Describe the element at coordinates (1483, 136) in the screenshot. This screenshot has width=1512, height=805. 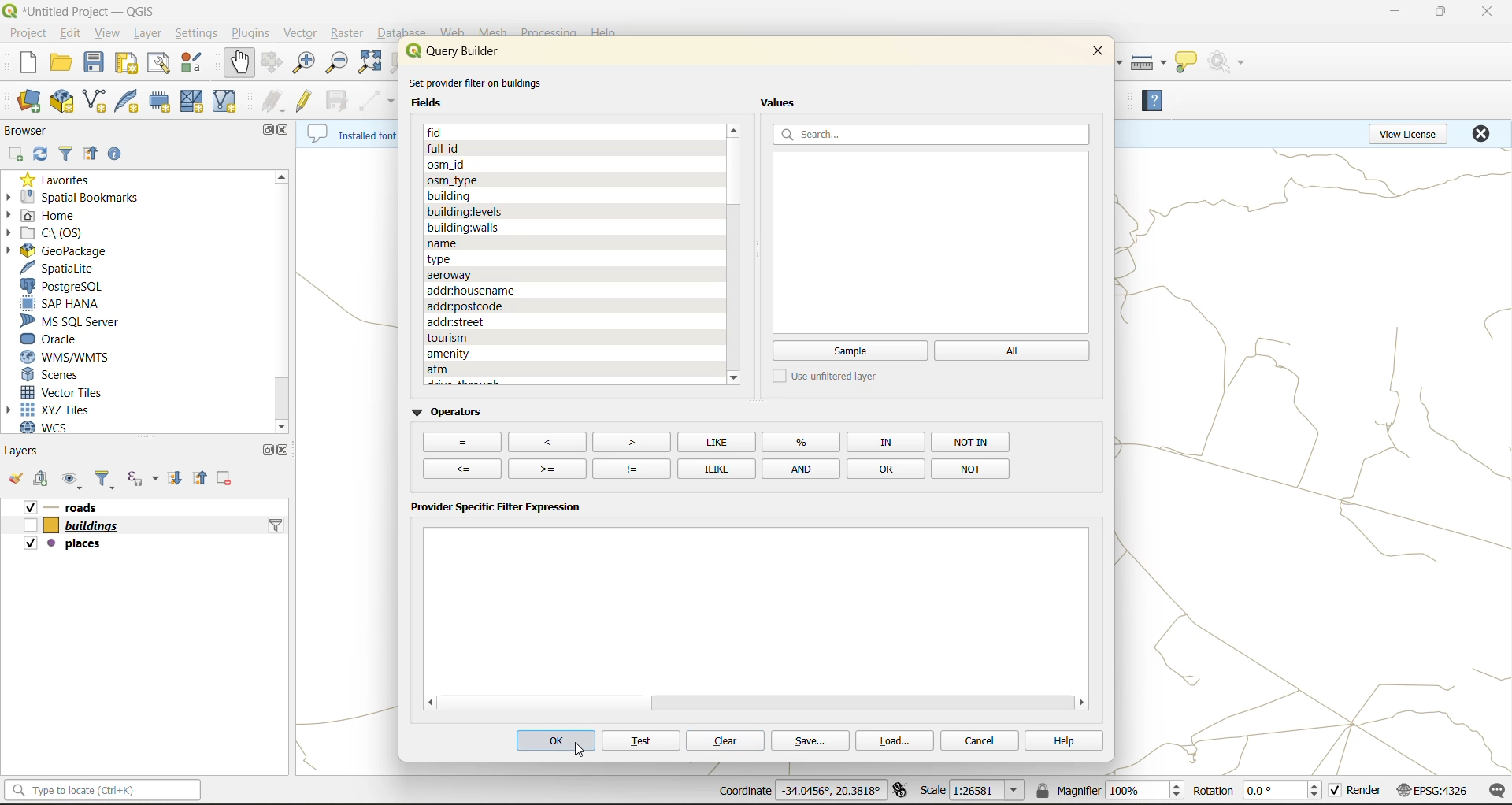
I see `close` at that location.